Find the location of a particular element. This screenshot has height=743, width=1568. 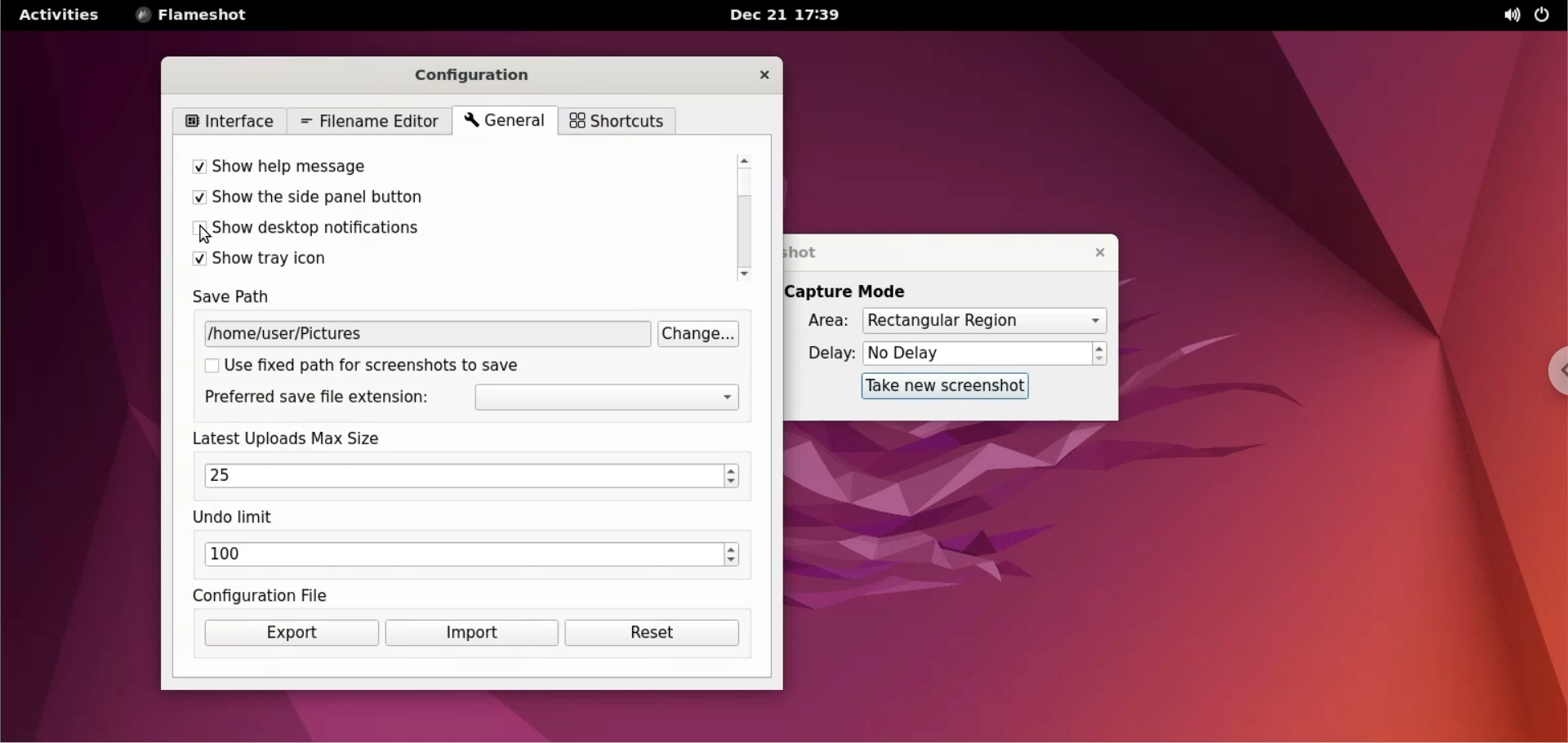

preferred save file extension is located at coordinates (315, 398).